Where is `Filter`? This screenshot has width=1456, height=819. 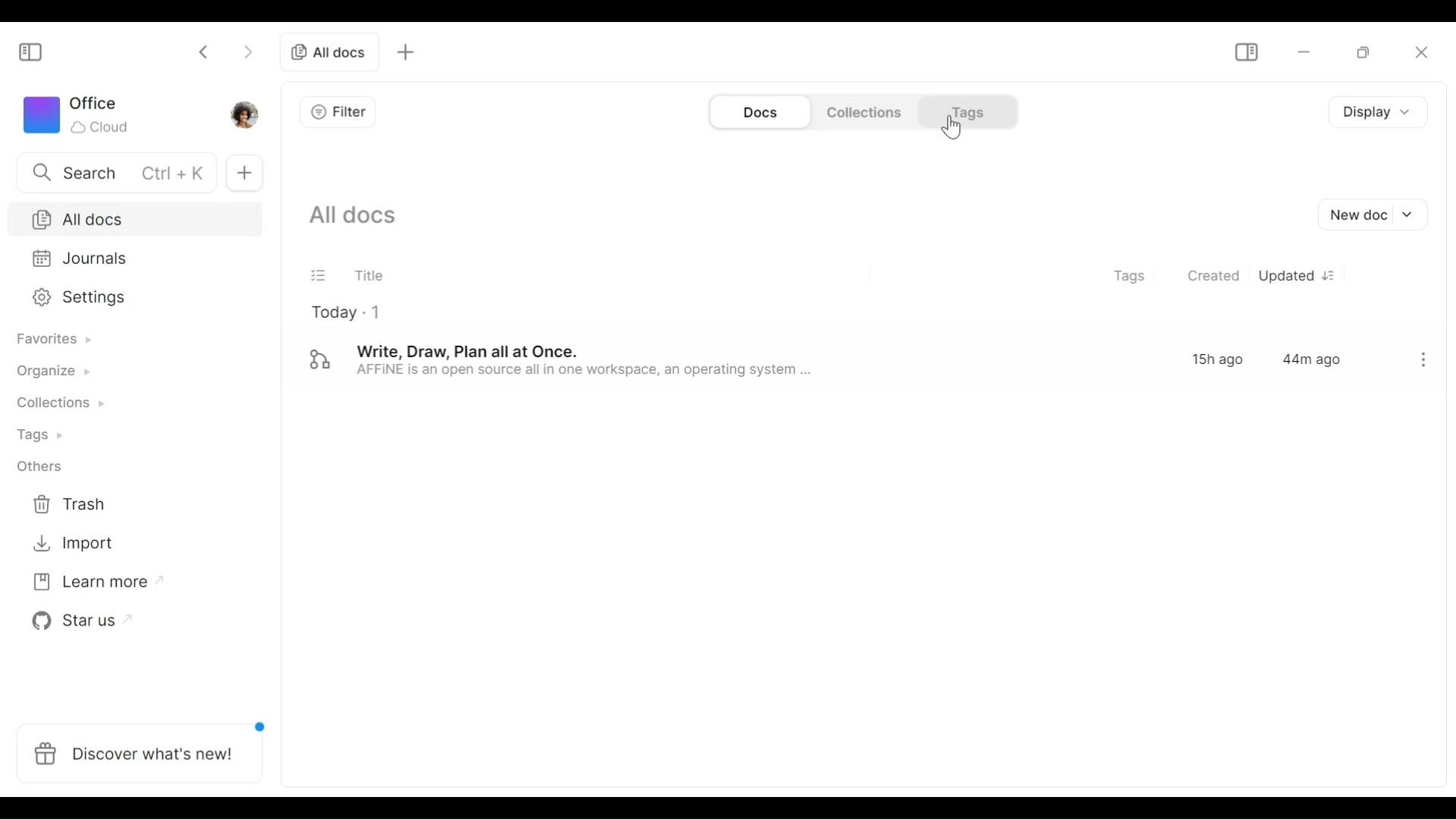 Filter is located at coordinates (353, 108).